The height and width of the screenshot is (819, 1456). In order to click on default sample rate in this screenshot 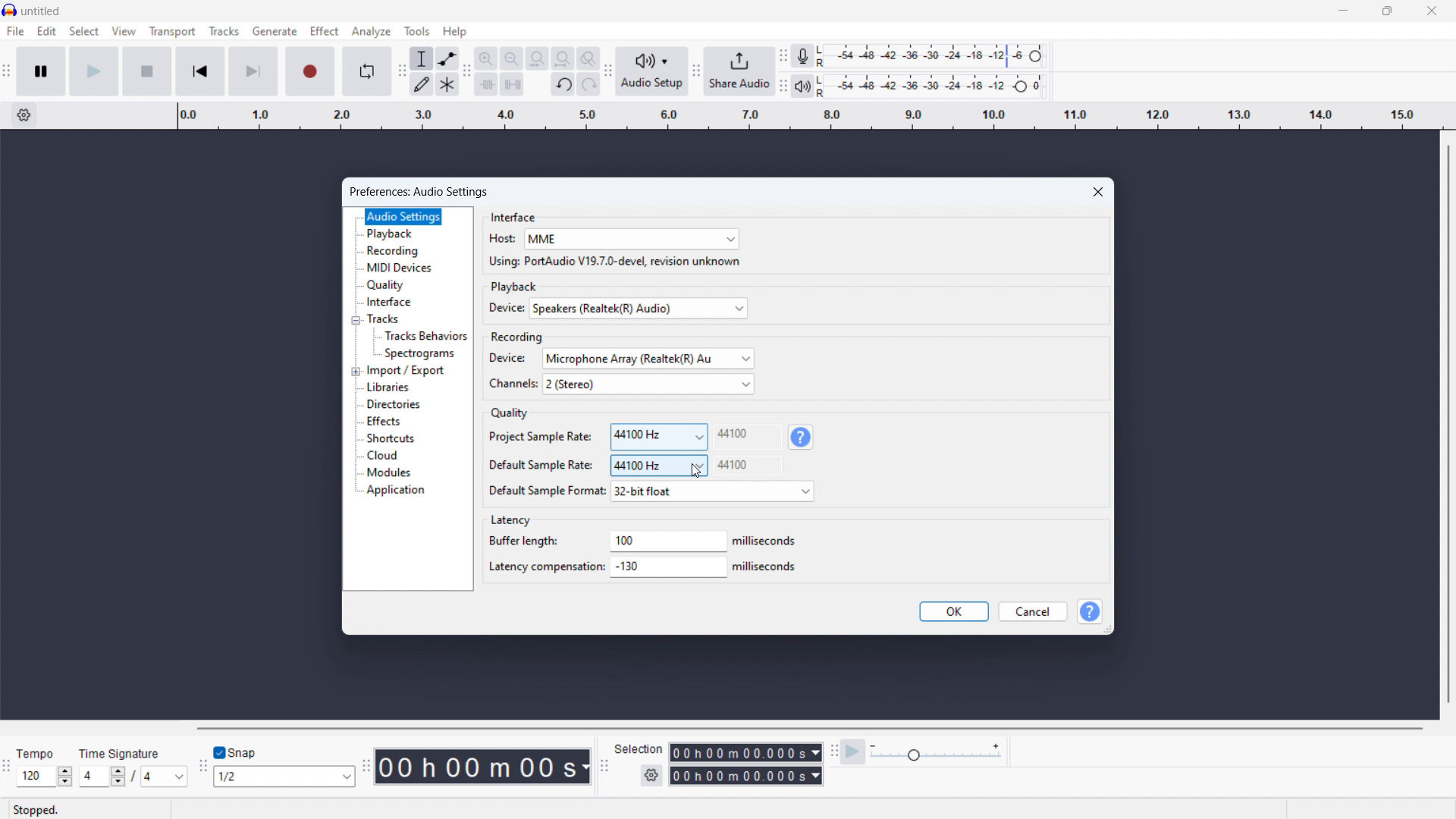, I will do `click(658, 466)`.